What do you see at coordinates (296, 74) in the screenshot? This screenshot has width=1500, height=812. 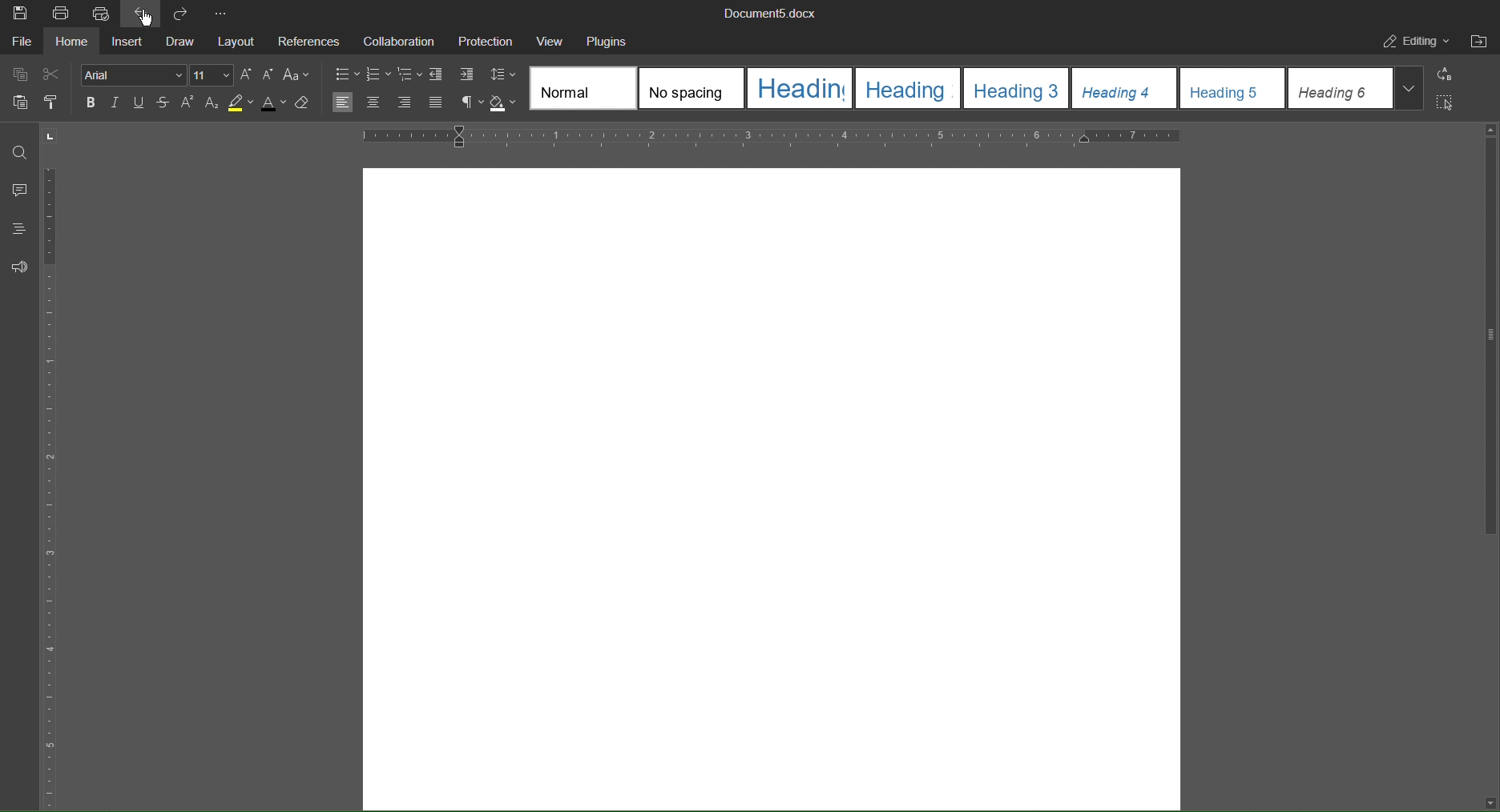 I see `Text Case Settings` at bounding box center [296, 74].